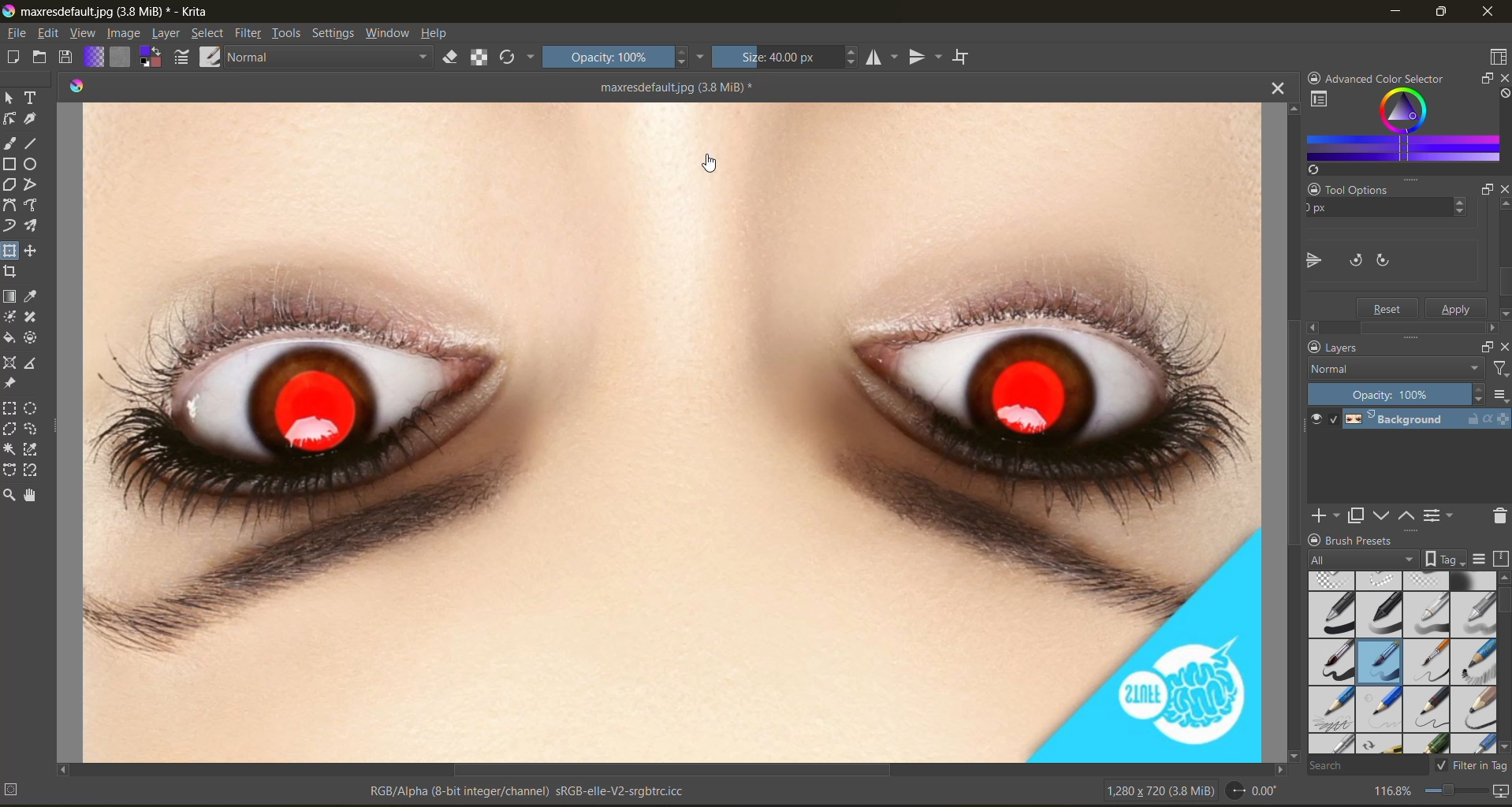  Describe the element at coordinates (1440, 515) in the screenshot. I see `view or change layer properties` at that location.